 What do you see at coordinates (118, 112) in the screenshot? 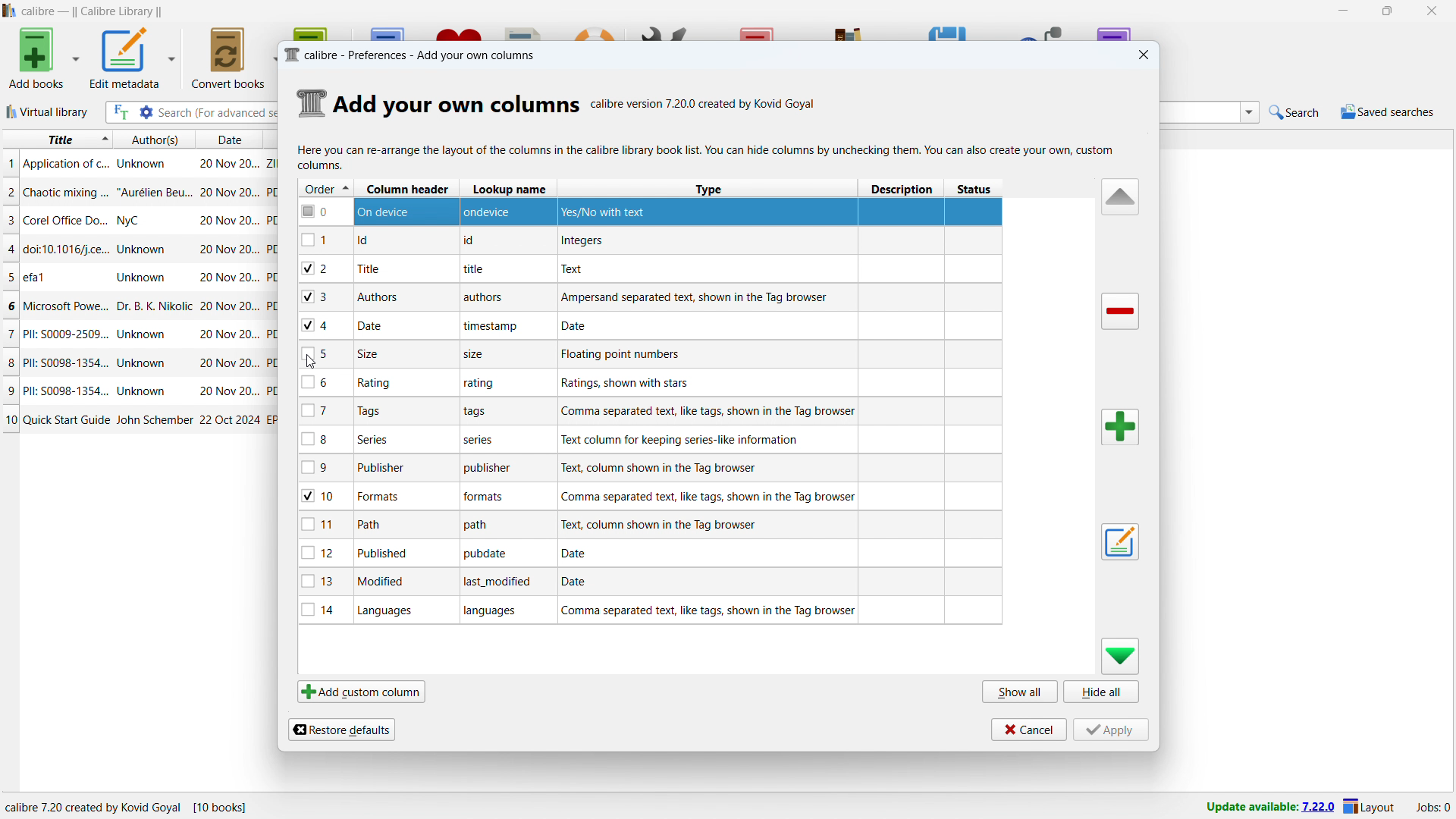
I see `full text search` at bounding box center [118, 112].